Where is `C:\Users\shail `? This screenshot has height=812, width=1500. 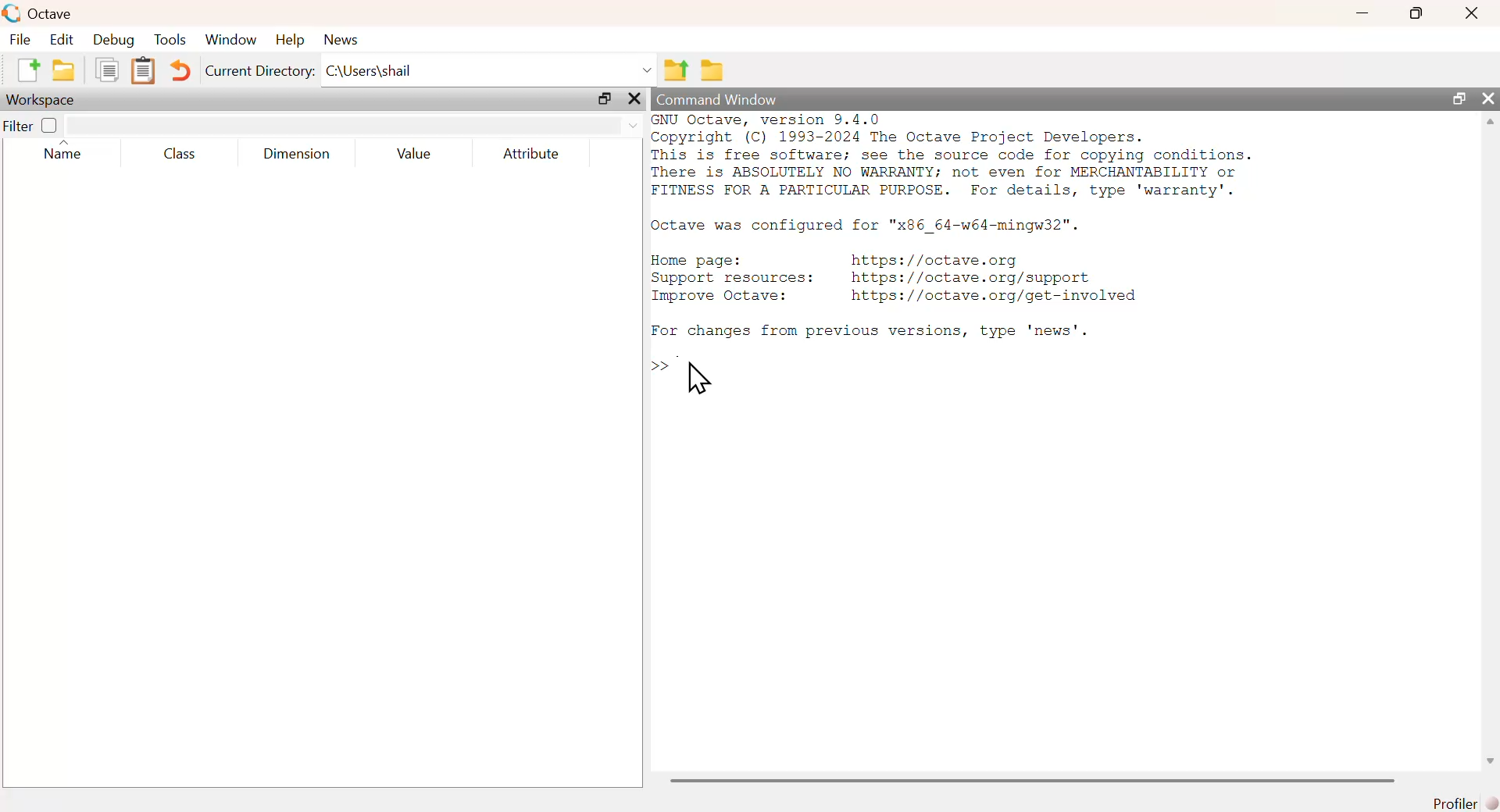
C:\Users\shail  is located at coordinates (489, 66).